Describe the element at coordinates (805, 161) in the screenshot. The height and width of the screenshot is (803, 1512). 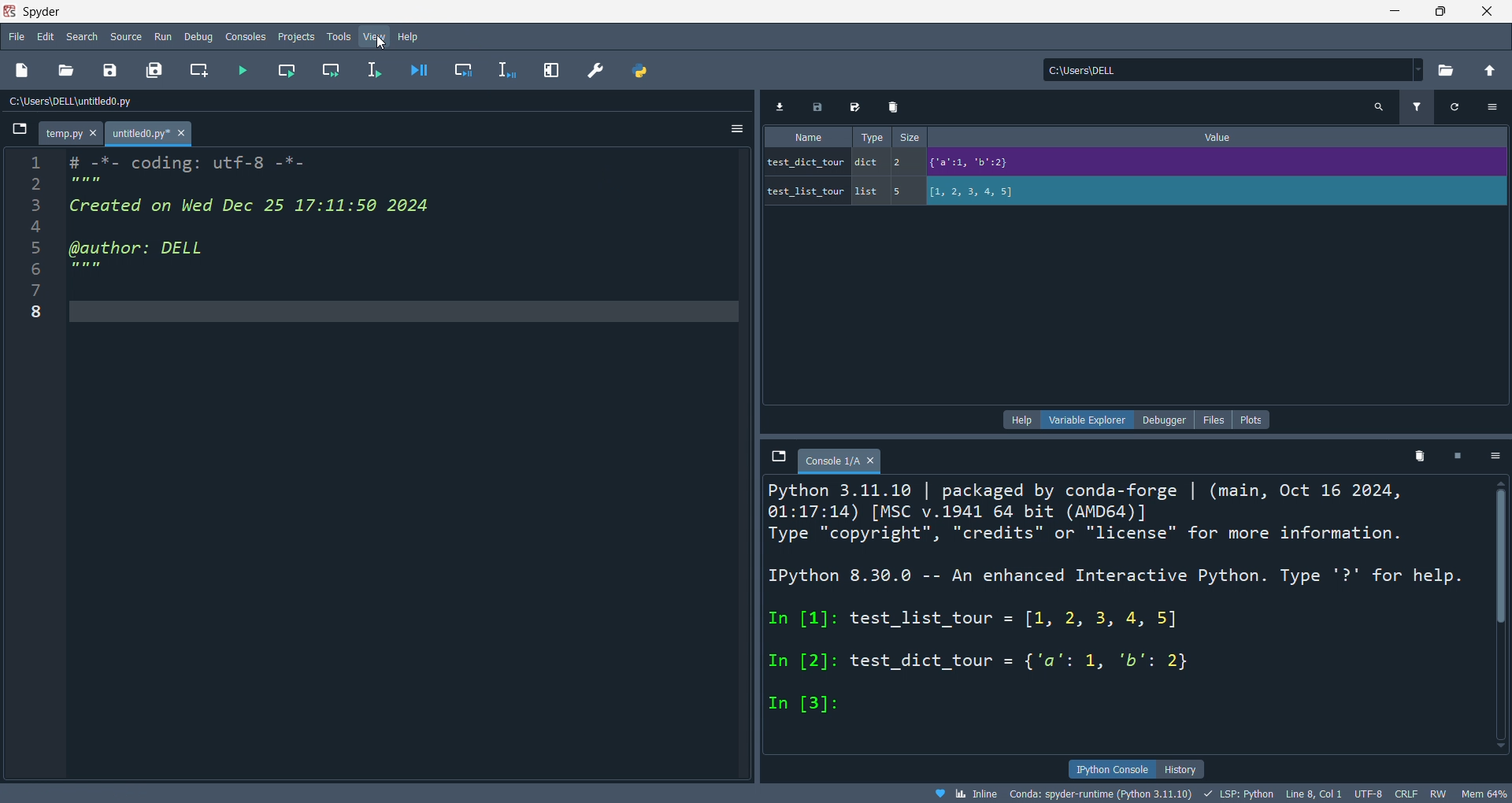
I see `variable name` at that location.